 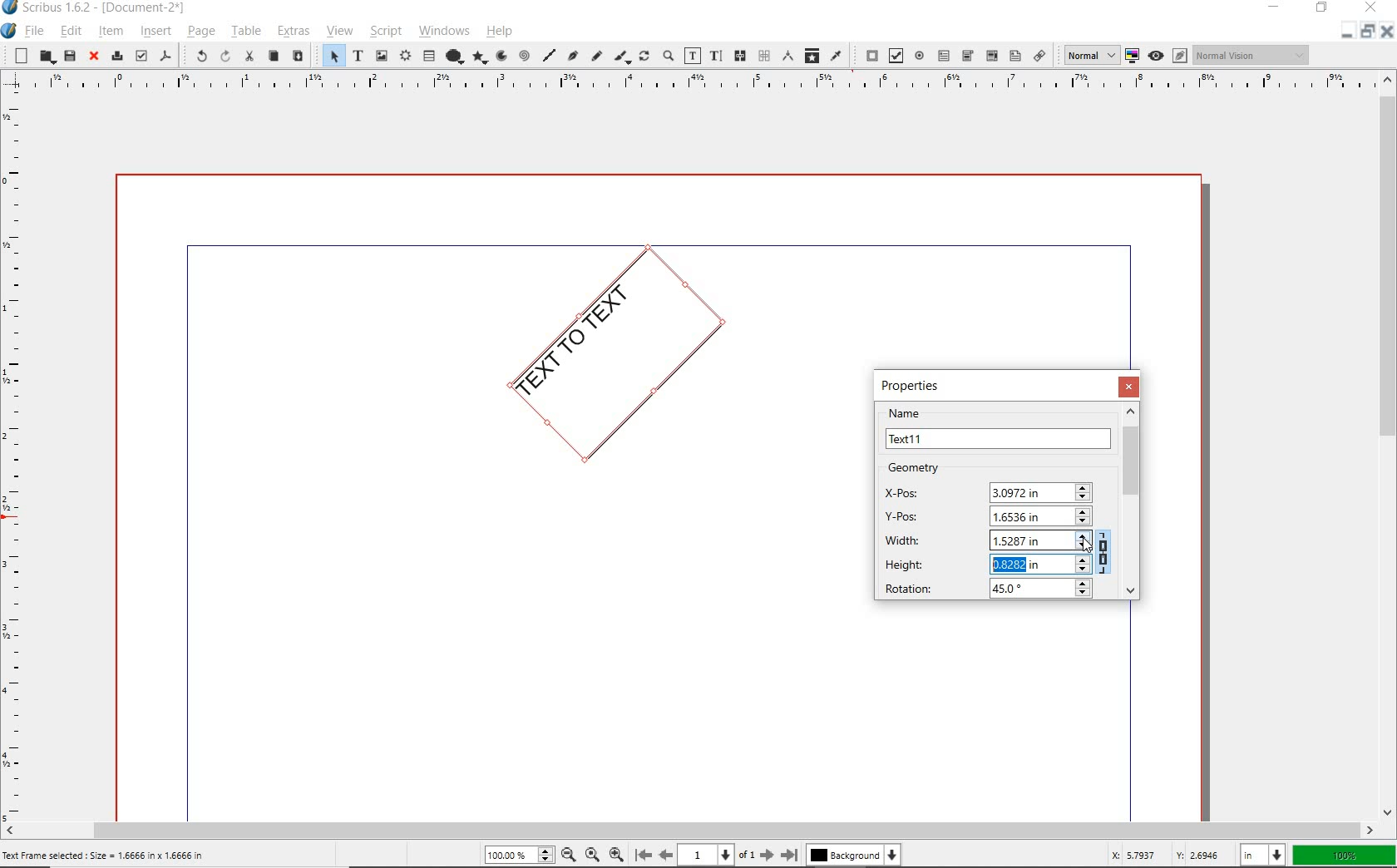 I want to click on current page, so click(x=720, y=855).